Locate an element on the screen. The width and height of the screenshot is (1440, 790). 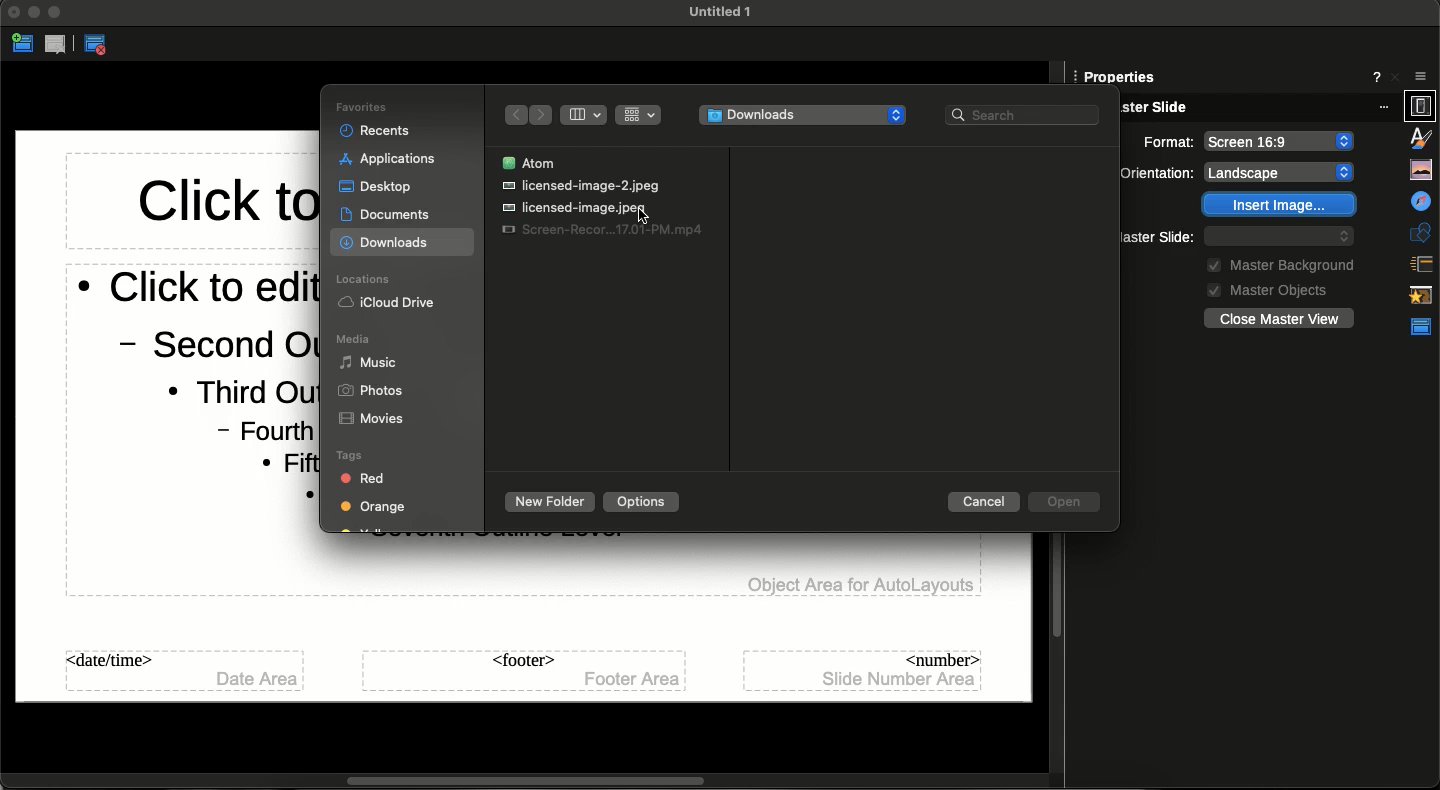
Applications is located at coordinates (385, 159).